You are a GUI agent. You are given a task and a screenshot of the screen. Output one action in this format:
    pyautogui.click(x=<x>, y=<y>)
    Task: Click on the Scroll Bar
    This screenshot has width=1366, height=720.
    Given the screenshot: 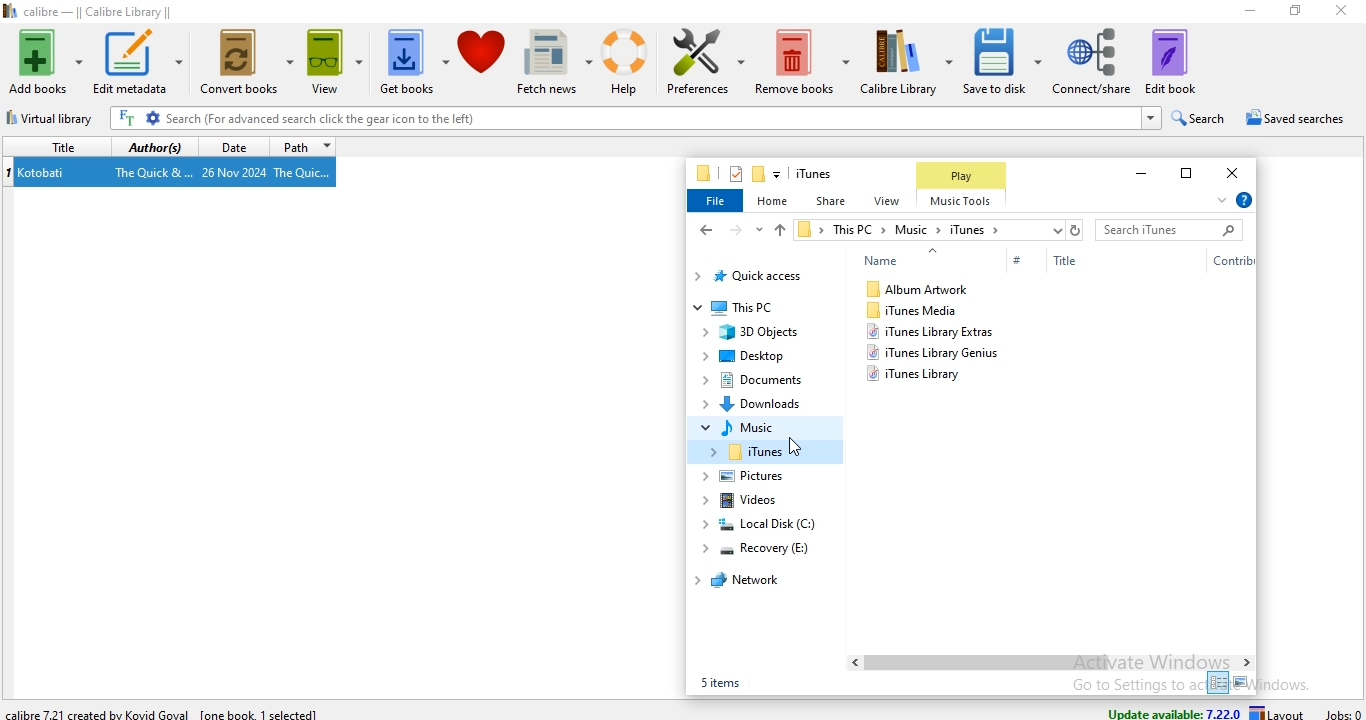 What is the action you would take?
    pyautogui.click(x=1057, y=661)
    